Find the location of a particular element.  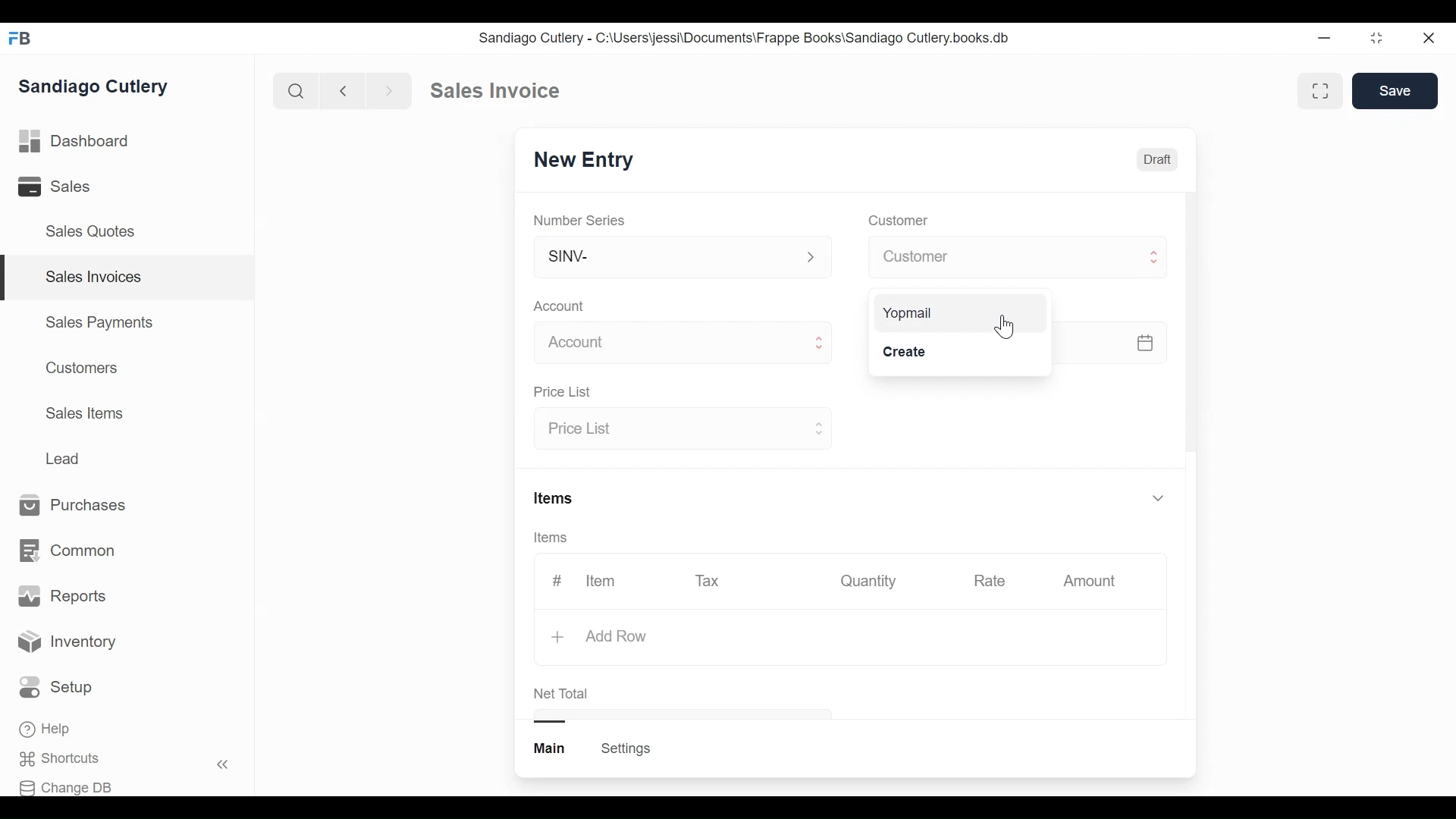

search is located at coordinates (297, 92).